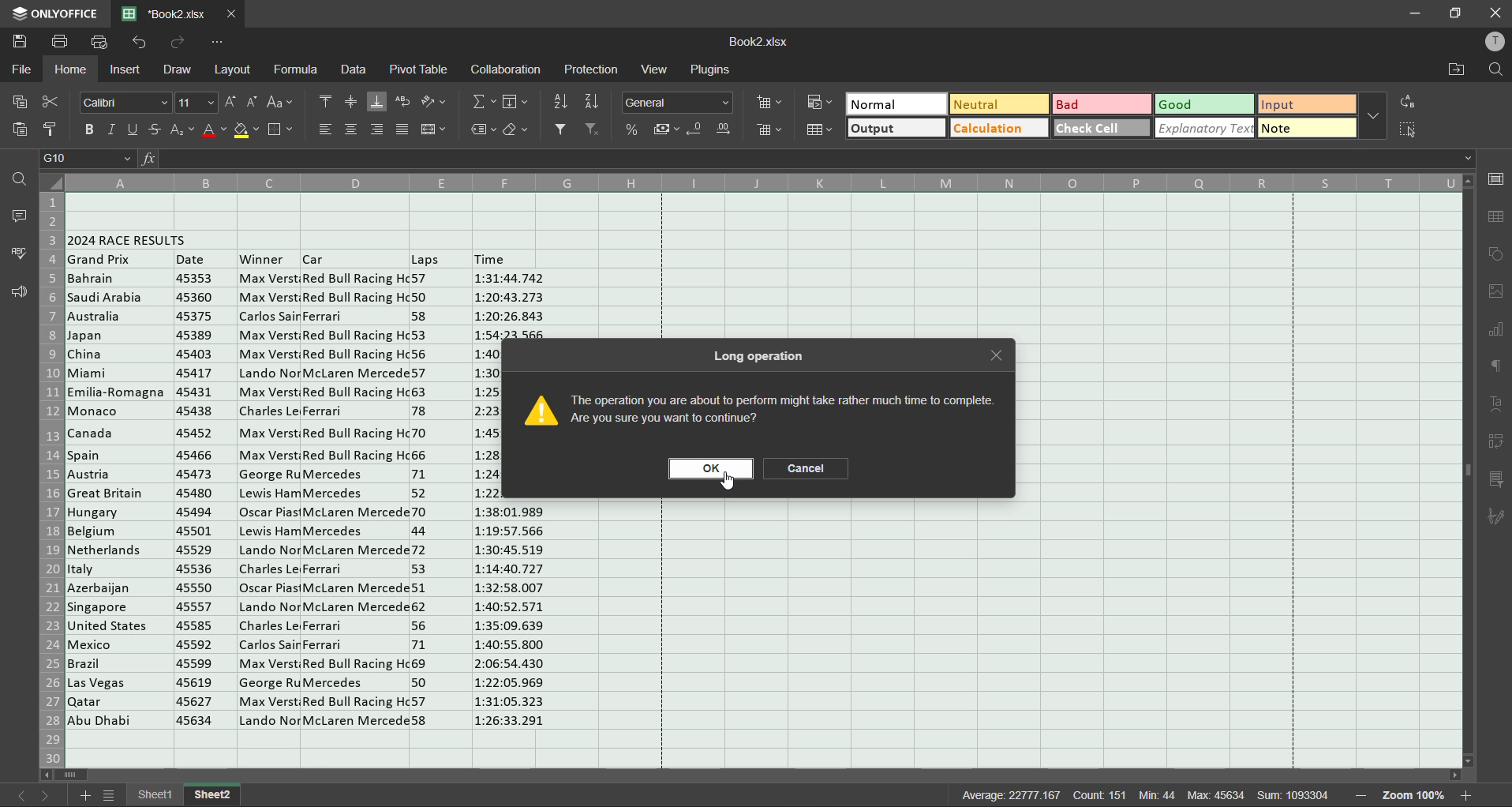 The width and height of the screenshot is (1512, 807). What do you see at coordinates (1491, 69) in the screenshot?
I see `find` at bounding box center [1491, 69].